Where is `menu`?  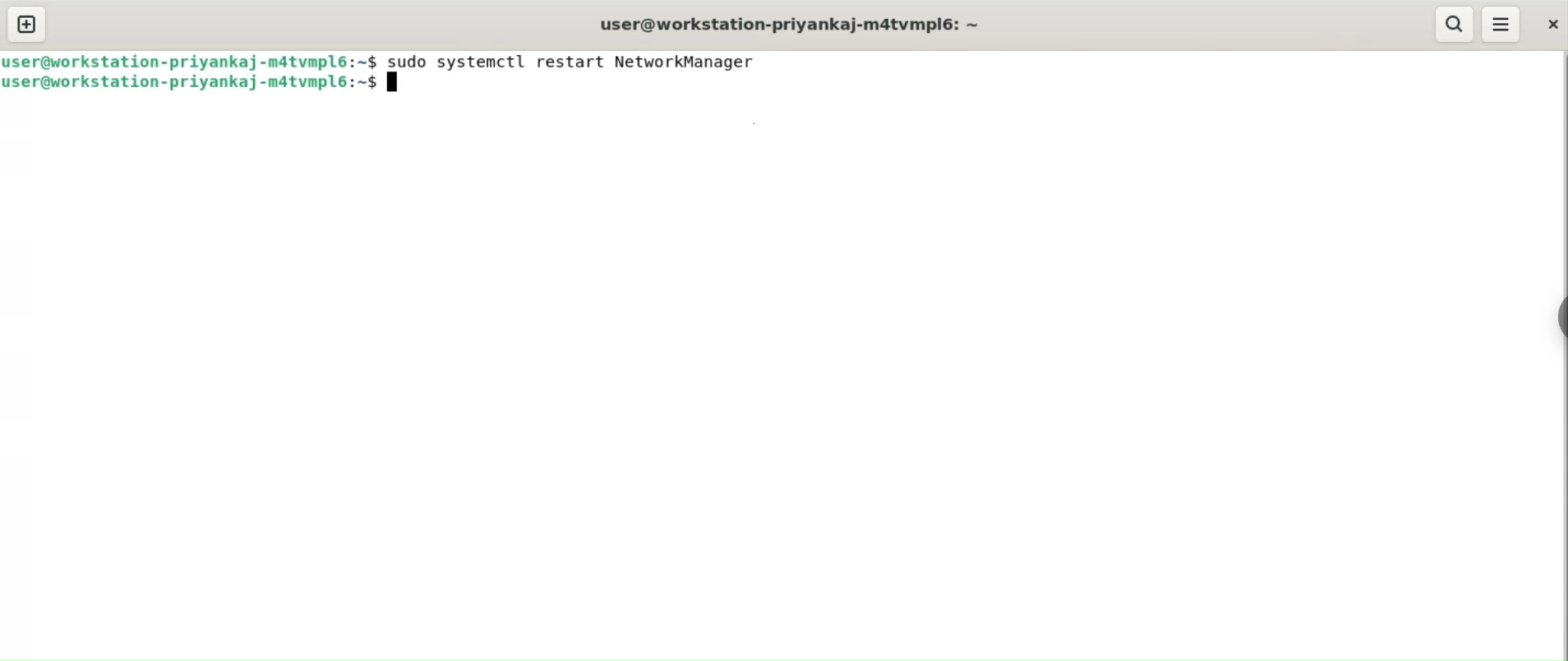 menu is located at coordinates (1503, 22).